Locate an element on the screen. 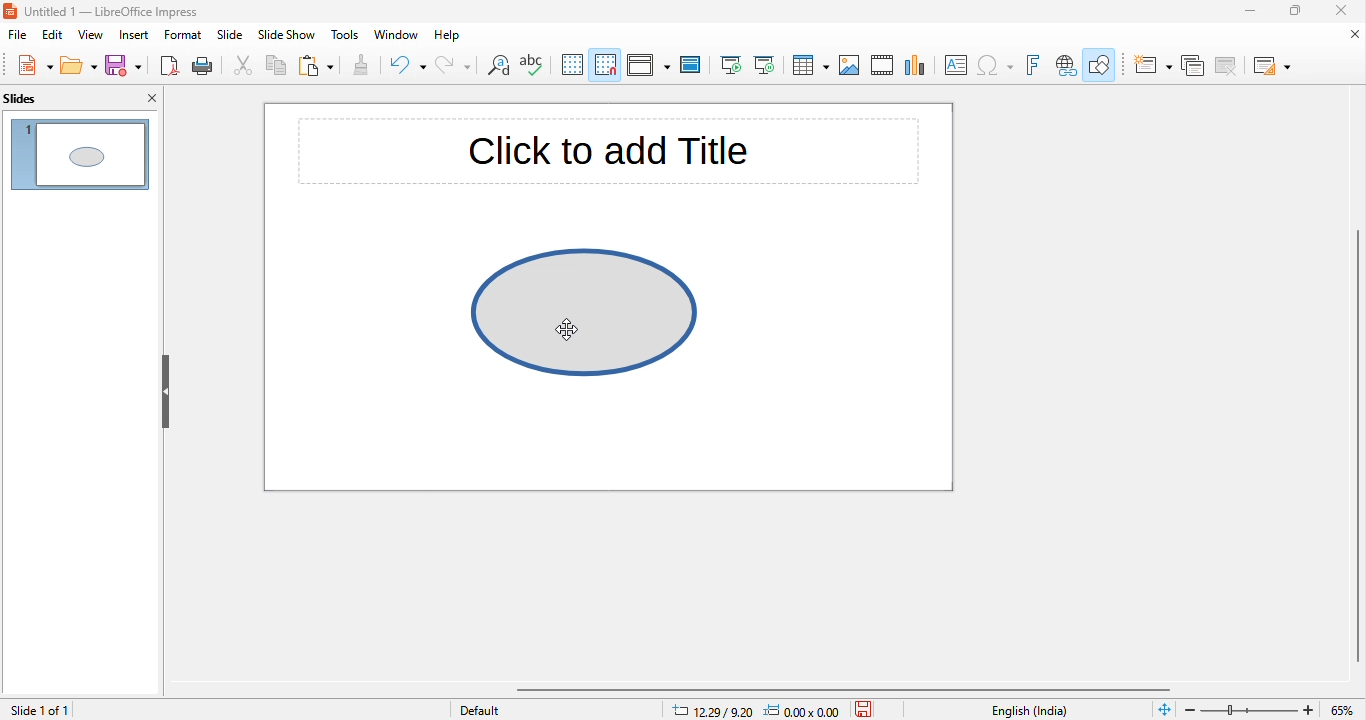 Image resolution: width=1366 pixels, height=720 pixels. start from current slide is located at coordinates (764, 65).